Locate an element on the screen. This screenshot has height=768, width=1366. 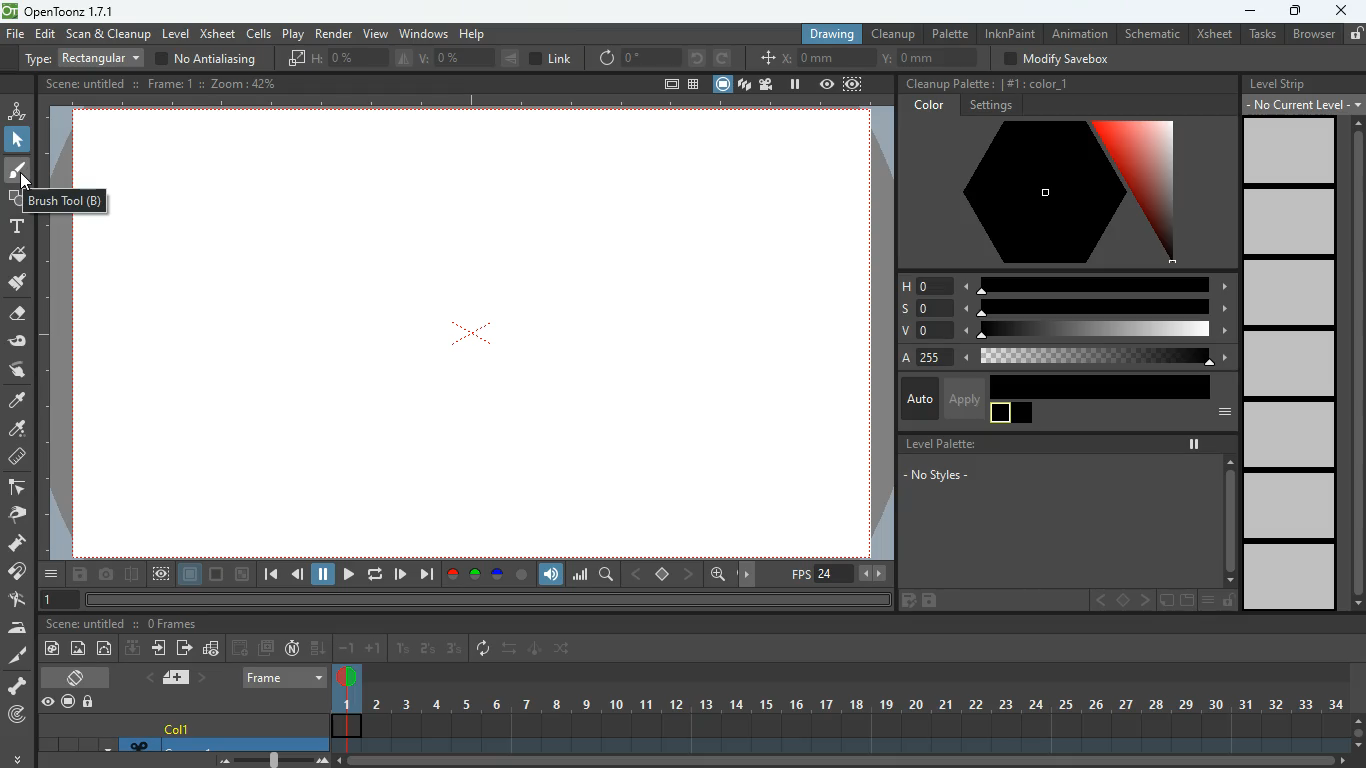
color is located at coordinates (931, 106).